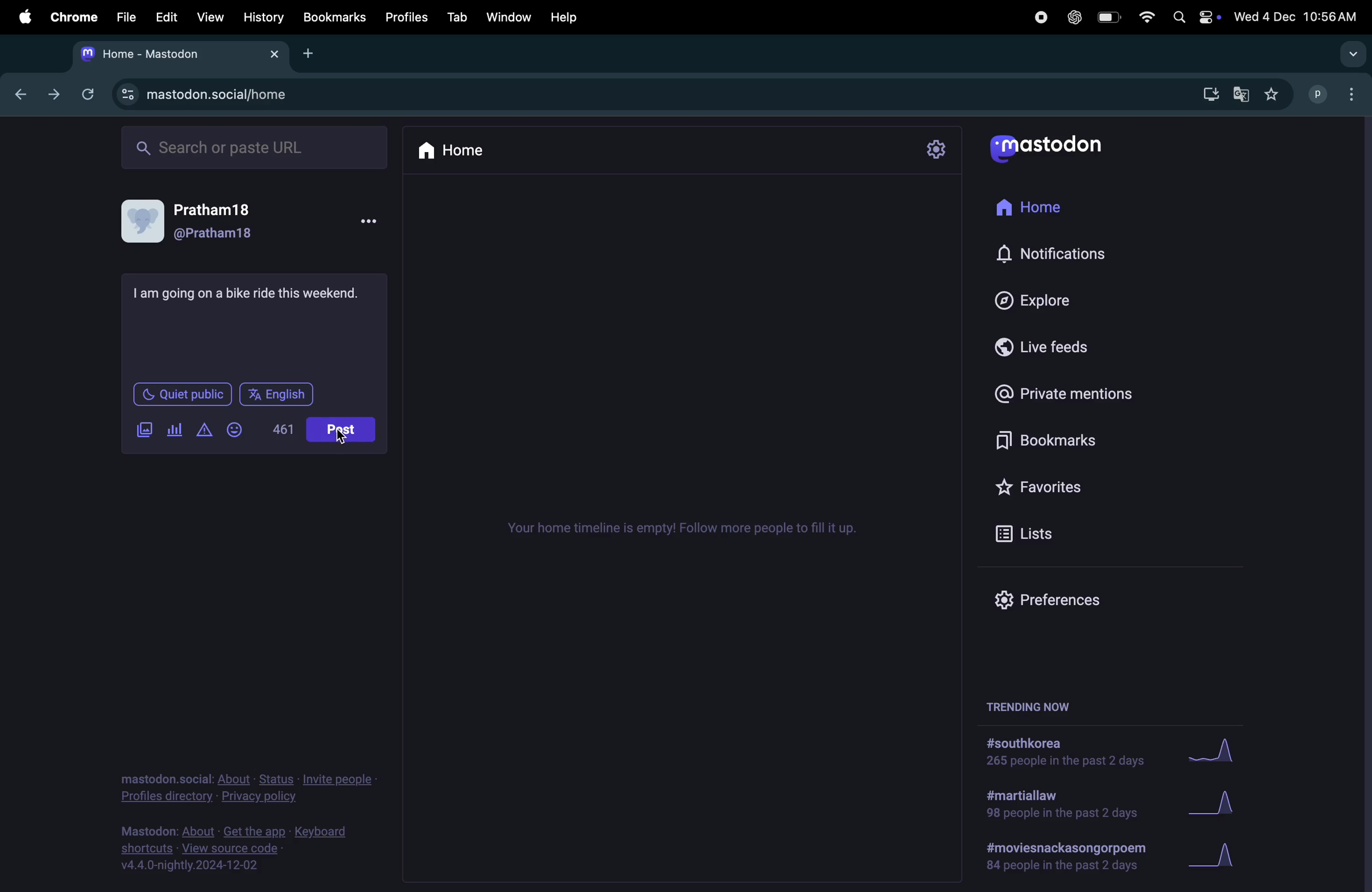 Image resolution: width=1372 pixels, height=892 pixels. What do you see at coordinates (254, 146) in the screenshot?
I see `Search bar` at bounding box center [254, 146].